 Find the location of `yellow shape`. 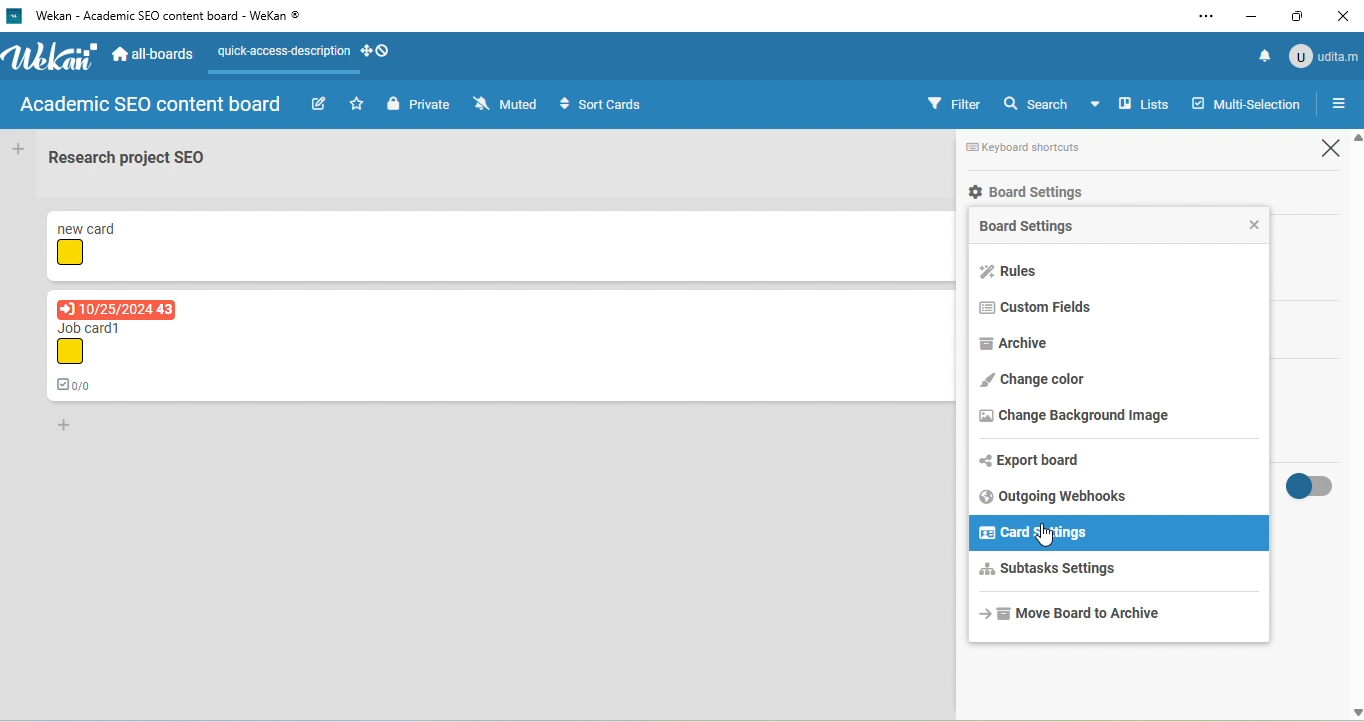

yellow shape is located at coordinates (72, 352).